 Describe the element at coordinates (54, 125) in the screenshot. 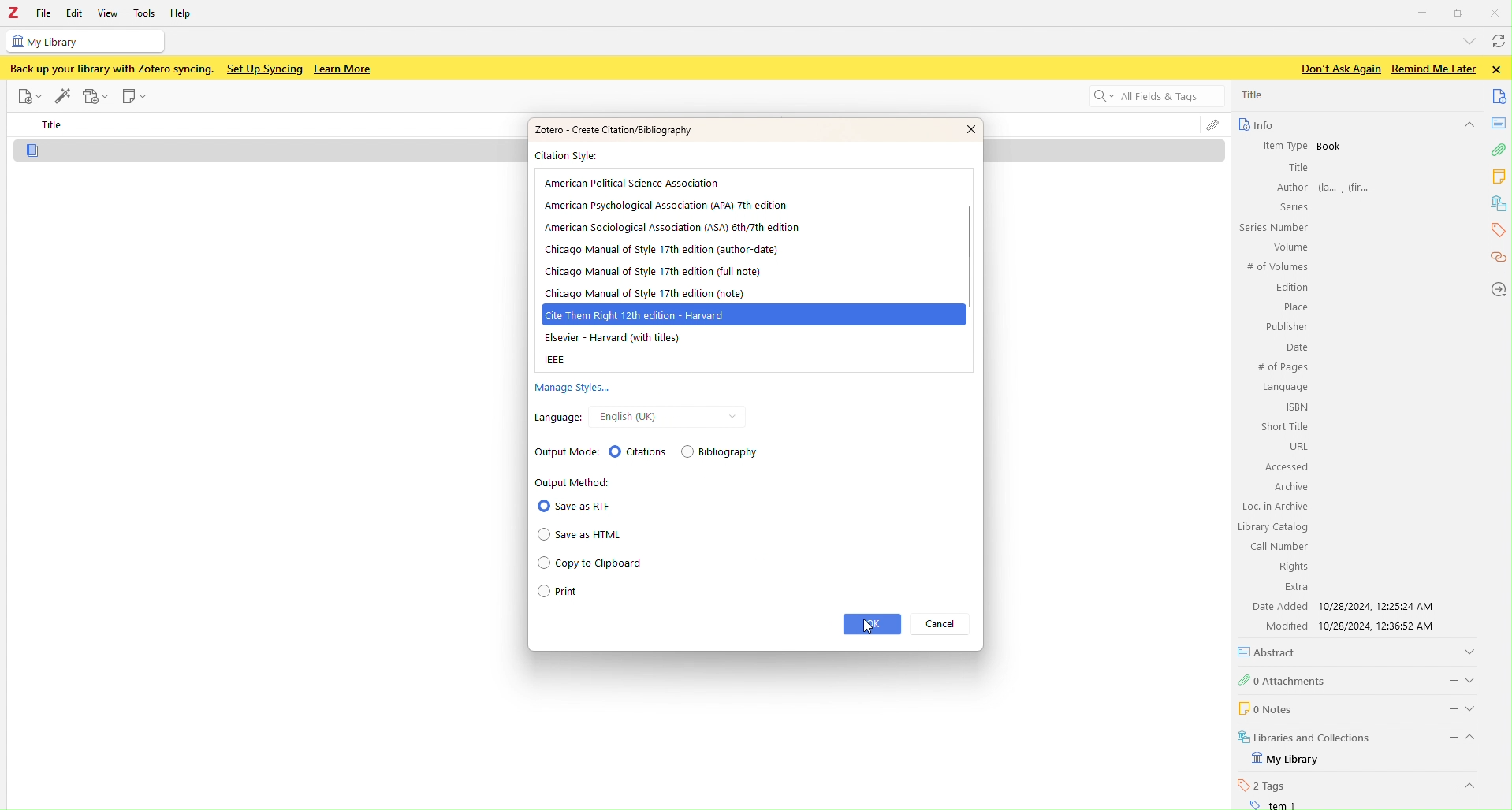

I see `Title` at that location.